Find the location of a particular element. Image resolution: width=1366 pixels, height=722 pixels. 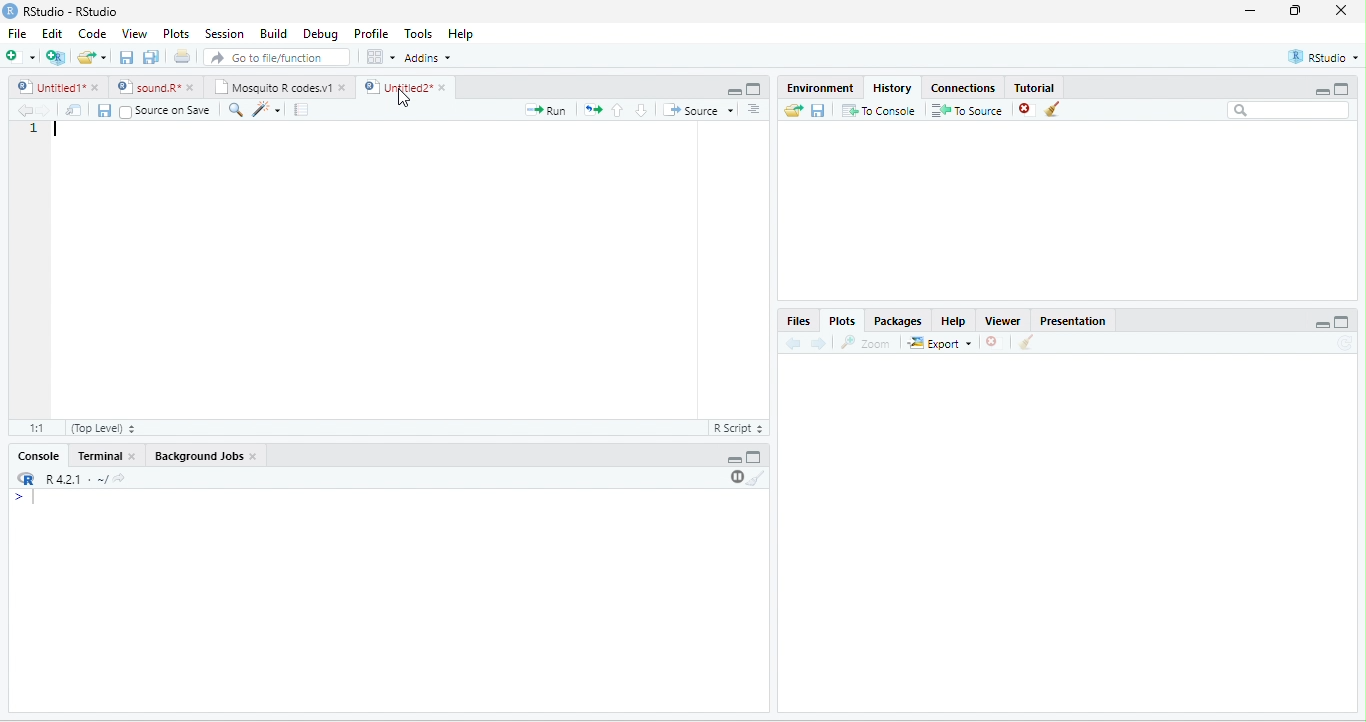

open folder is located at coordinates (794, 110).